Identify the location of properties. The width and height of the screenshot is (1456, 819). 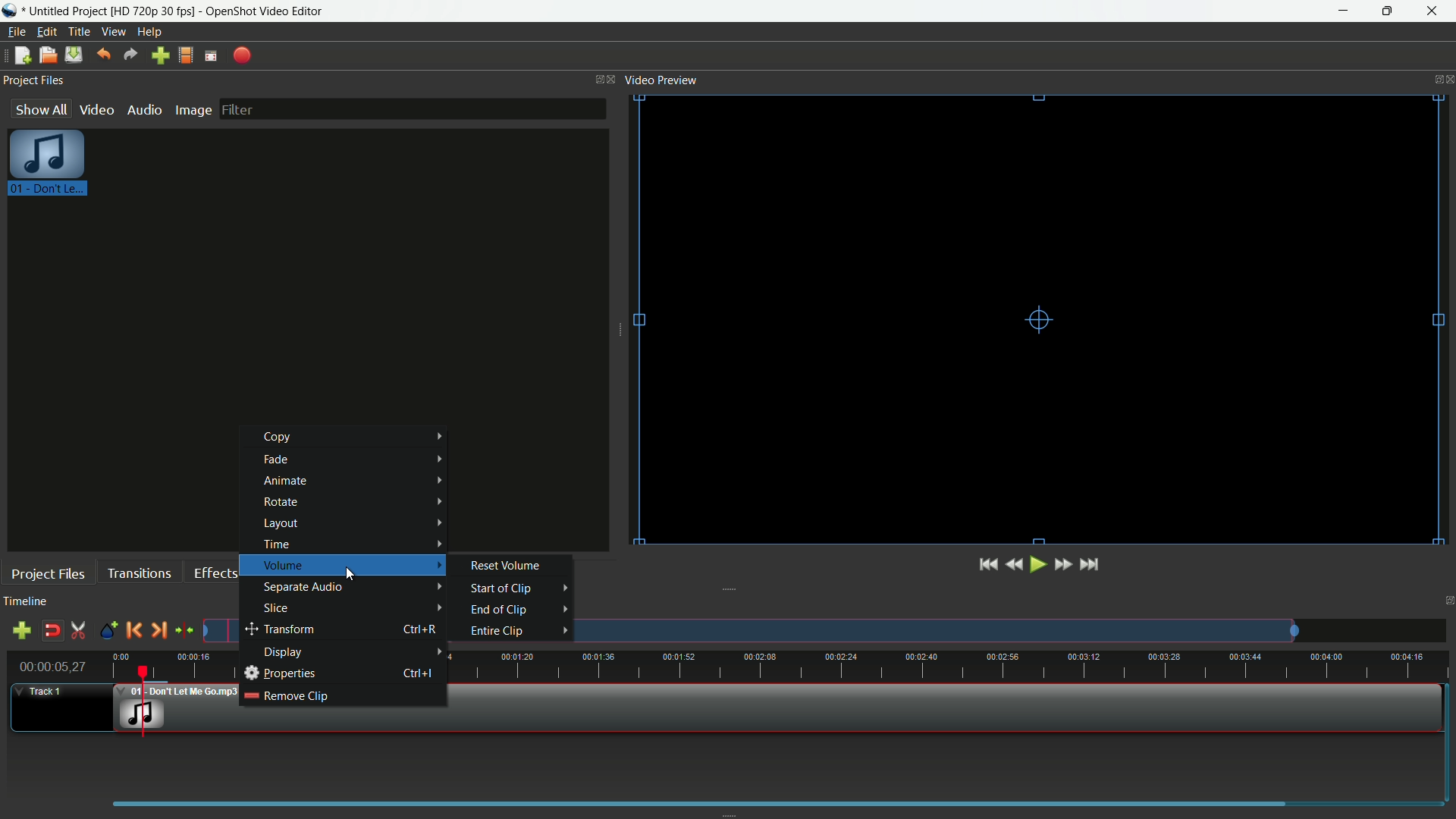
(280, 673).